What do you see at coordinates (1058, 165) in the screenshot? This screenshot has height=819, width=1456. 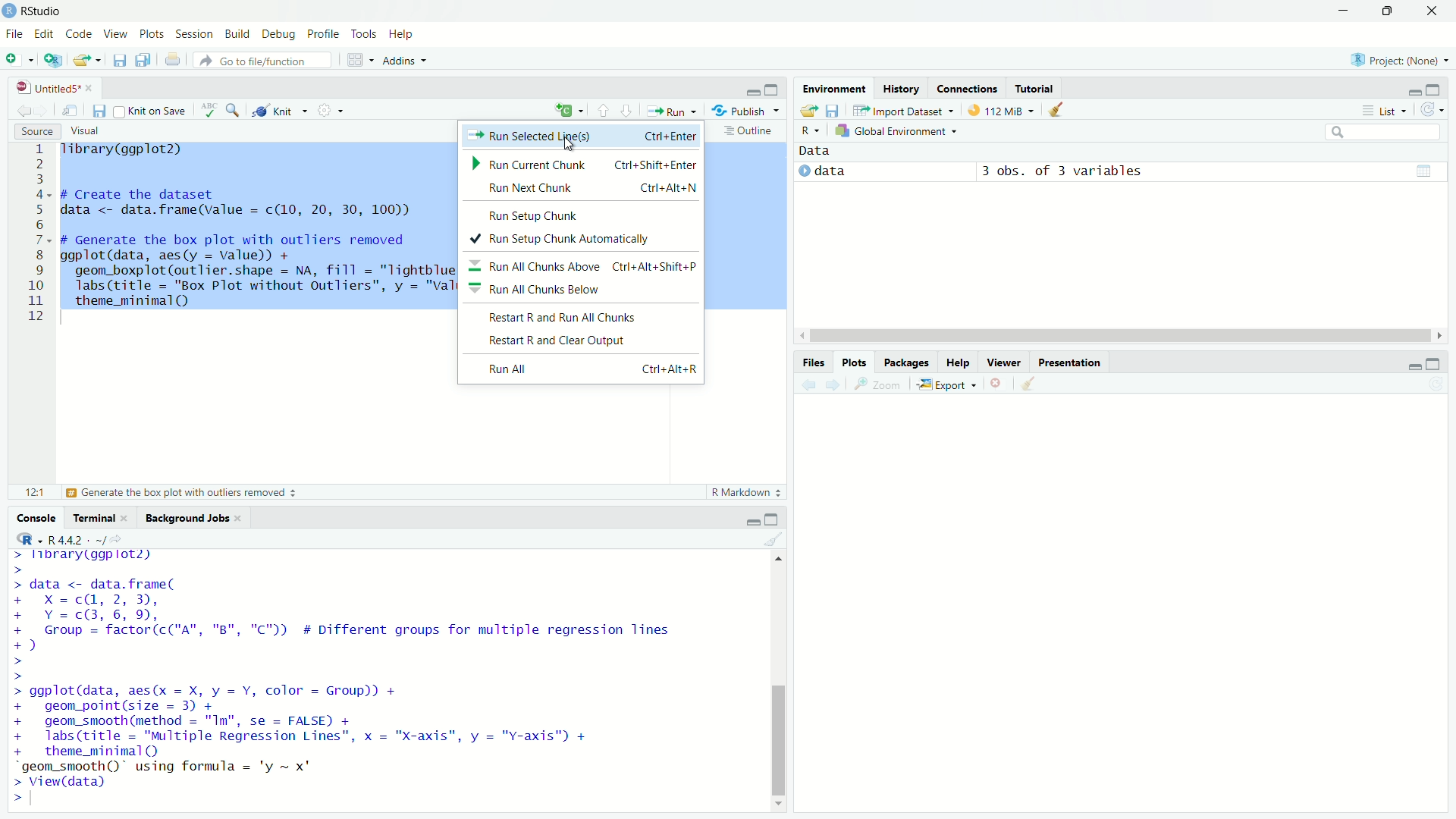 I see `Data
© data 3 obs. of 3 variables` at bounding box center [1058, 165].